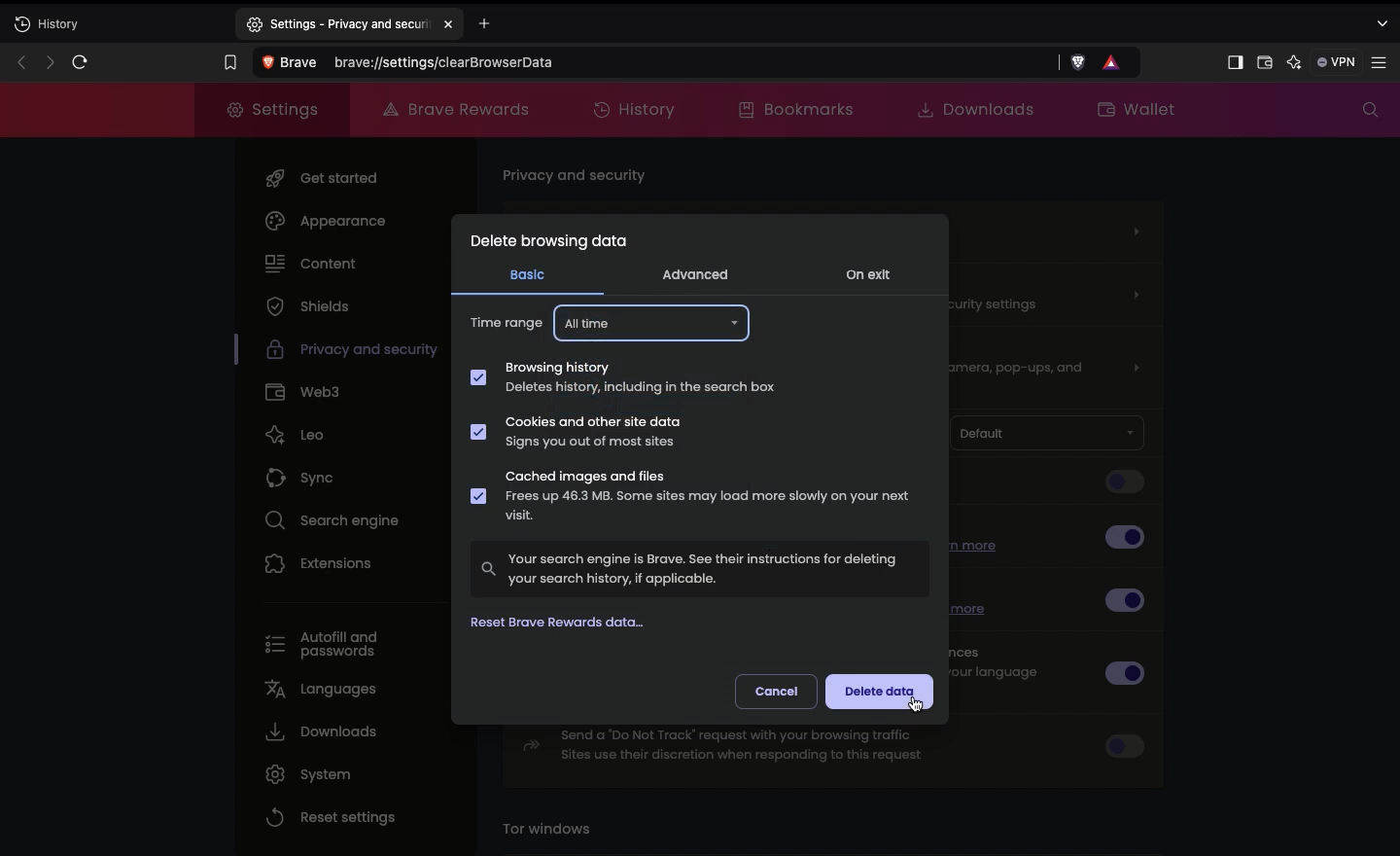 The width and height of the screenshot is (1400, 856). Describe the element at coordinates (1334, 62) in the screenshot. I see `VPN` at that location.